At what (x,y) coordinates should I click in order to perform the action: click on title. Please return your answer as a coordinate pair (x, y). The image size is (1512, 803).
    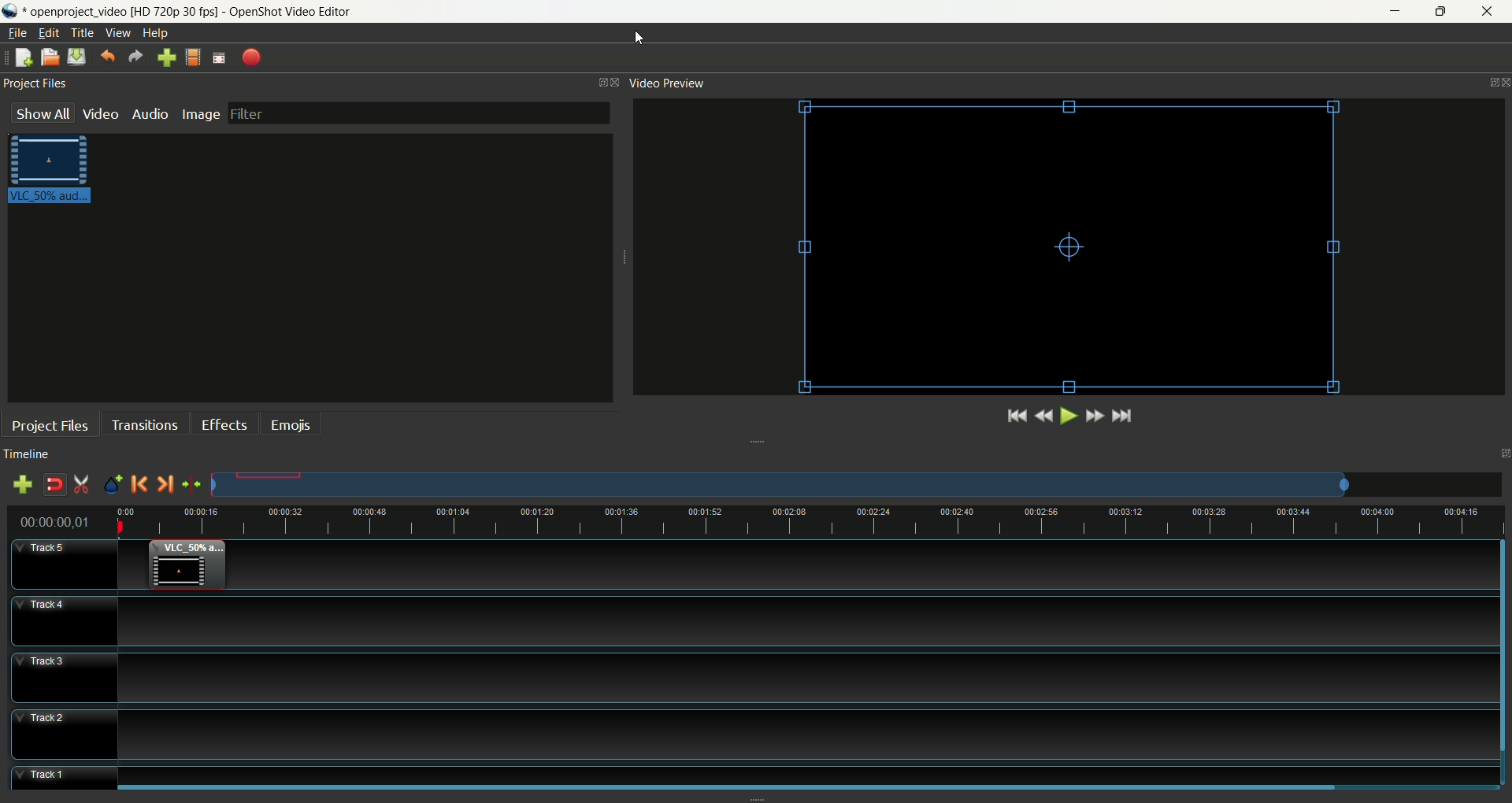
    Looking at the image, I should click on (81, 33).